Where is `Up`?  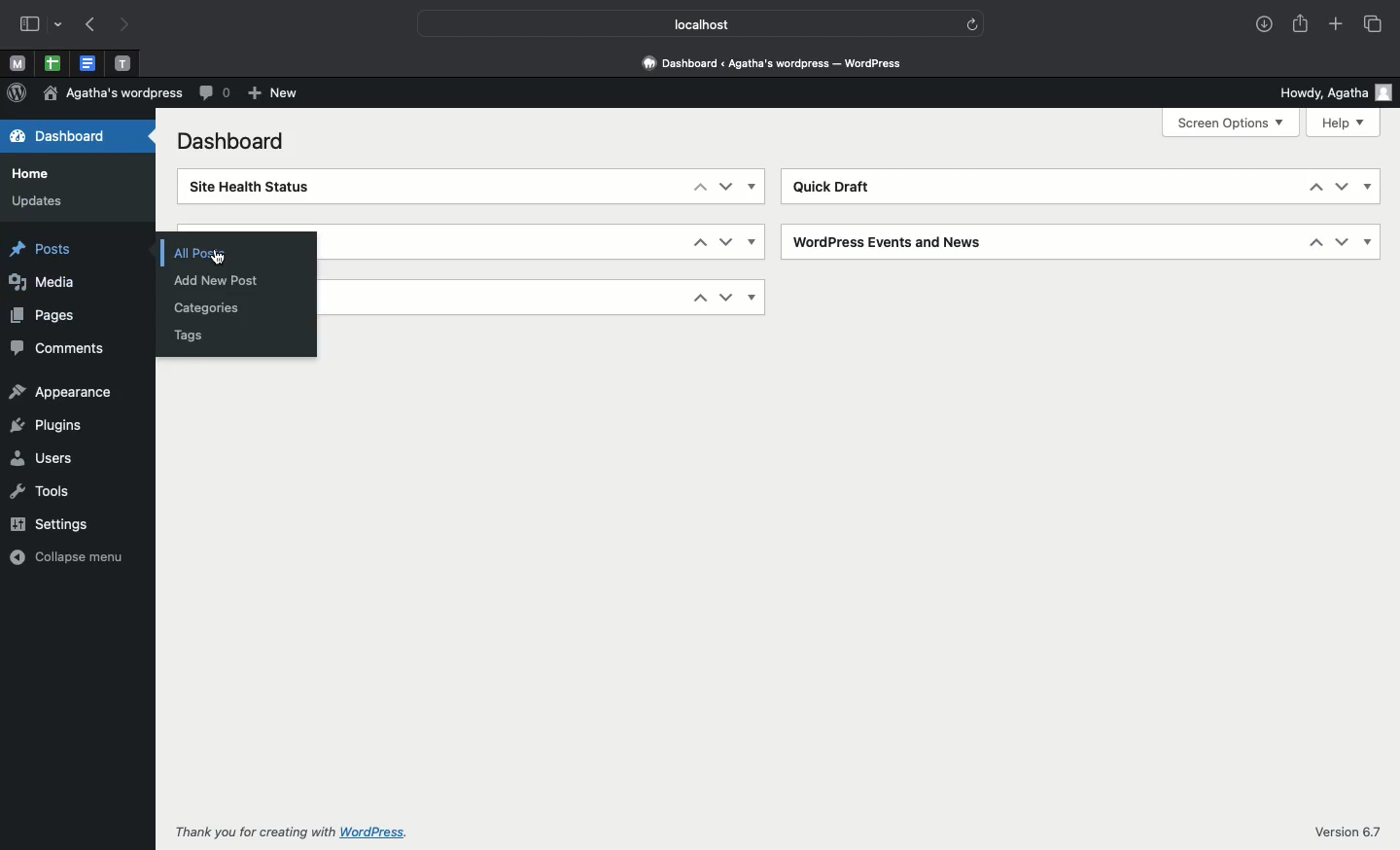
Up is located at coordinates (1315, 242).